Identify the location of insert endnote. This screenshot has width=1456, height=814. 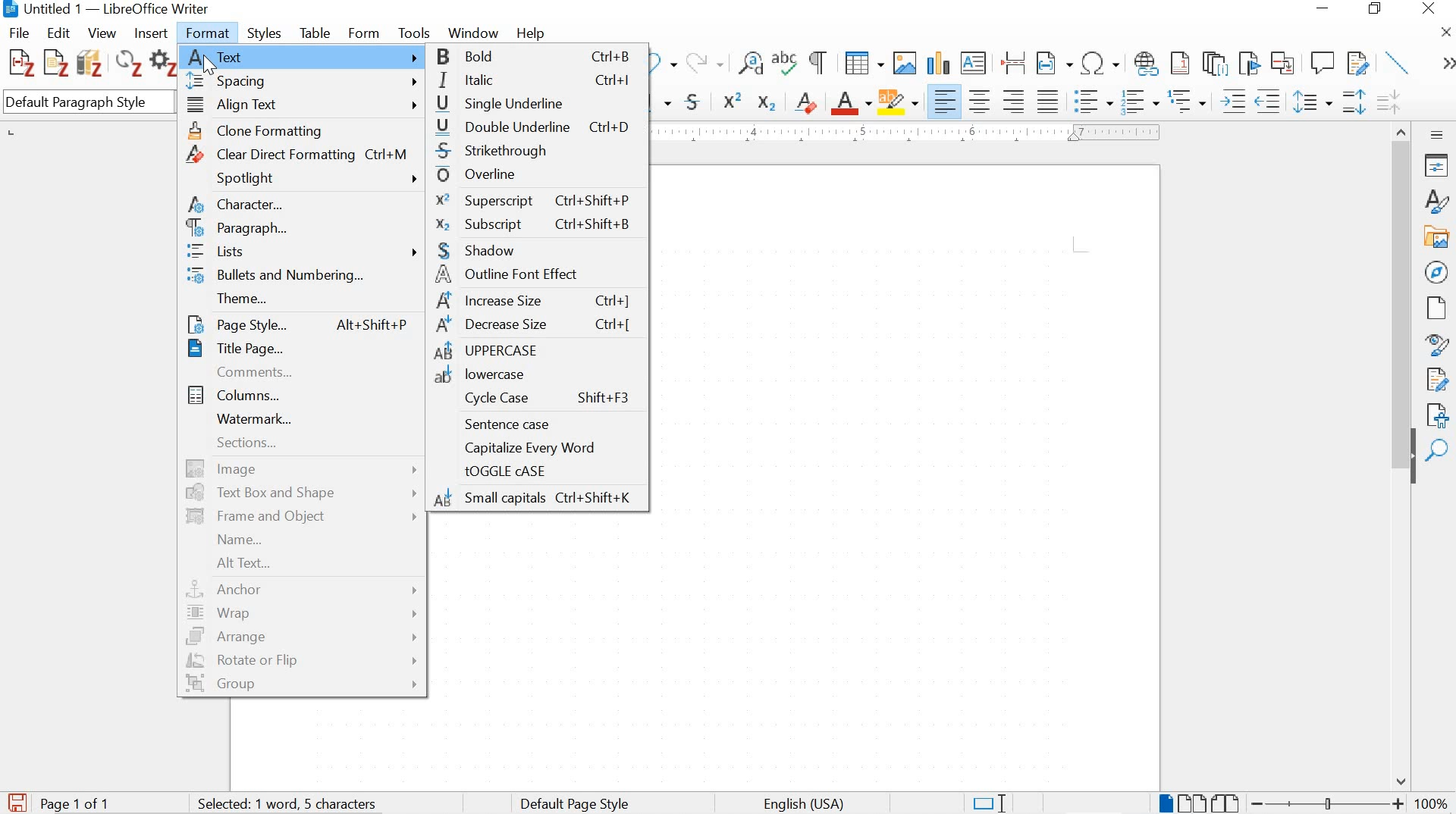
(1215, 64).